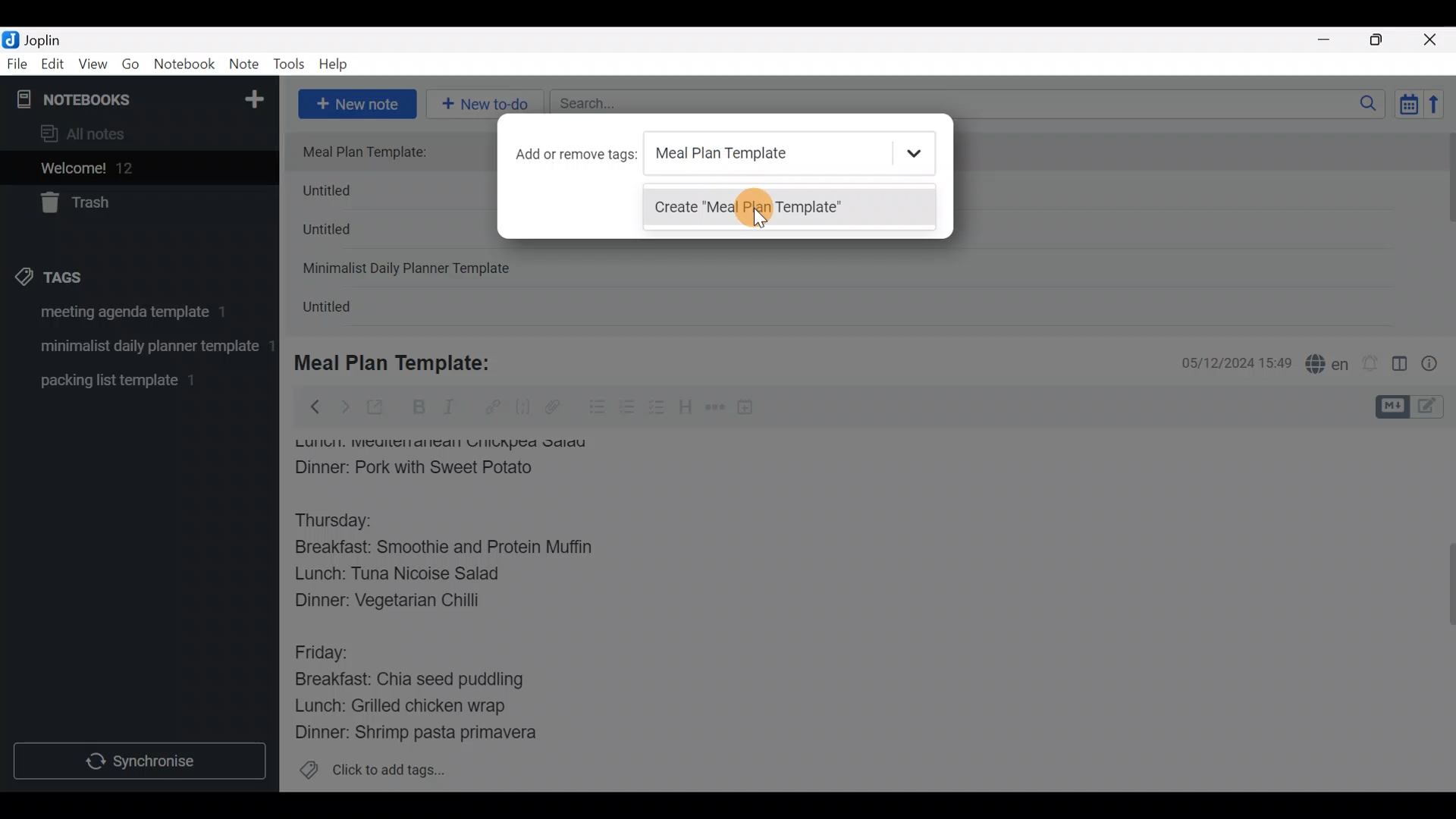 Image resolution: width=1456 pixels, height=819 pixels. I want to click on Date & time, so click(1225, 362).